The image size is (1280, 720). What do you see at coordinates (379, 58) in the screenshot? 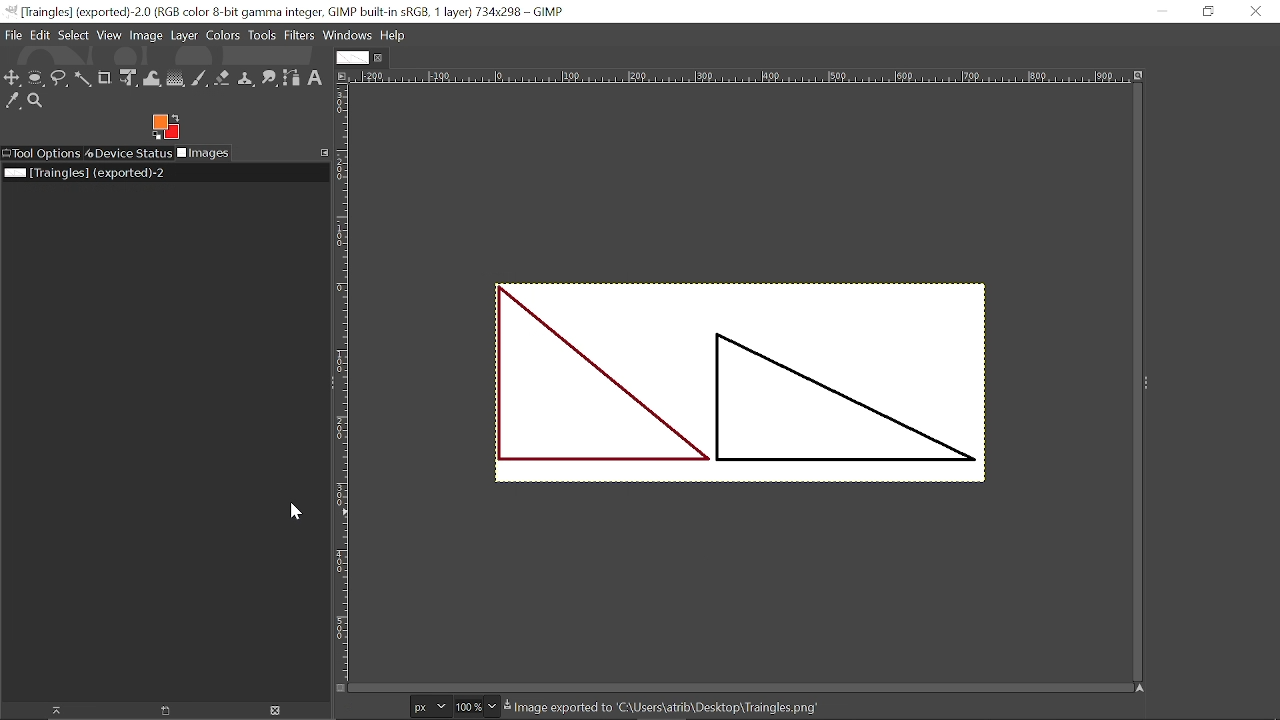
I see `Close current tab` at bounding box center [379, 58].